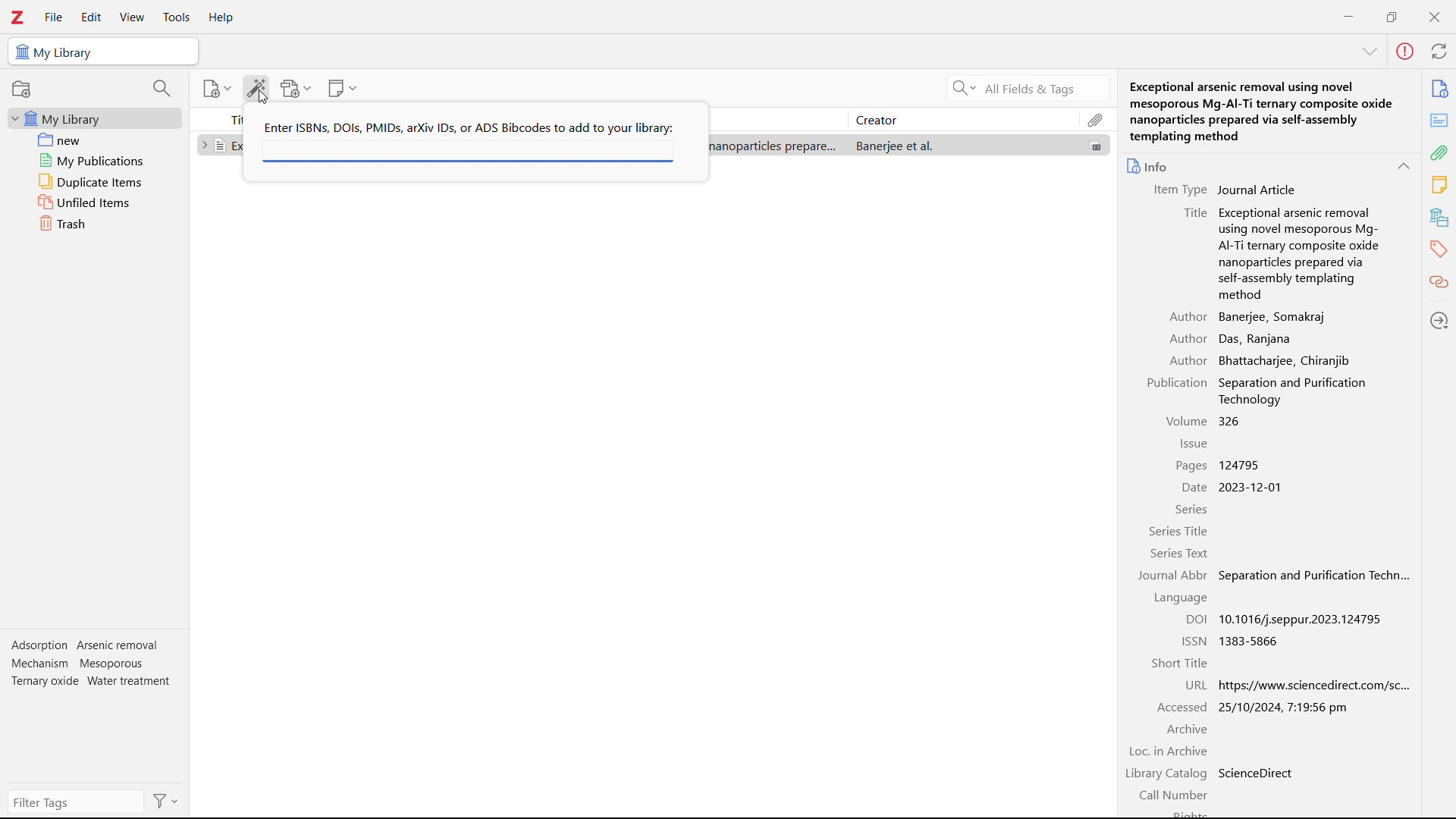  I want to click on Locate in archive, so click(1169, 752).